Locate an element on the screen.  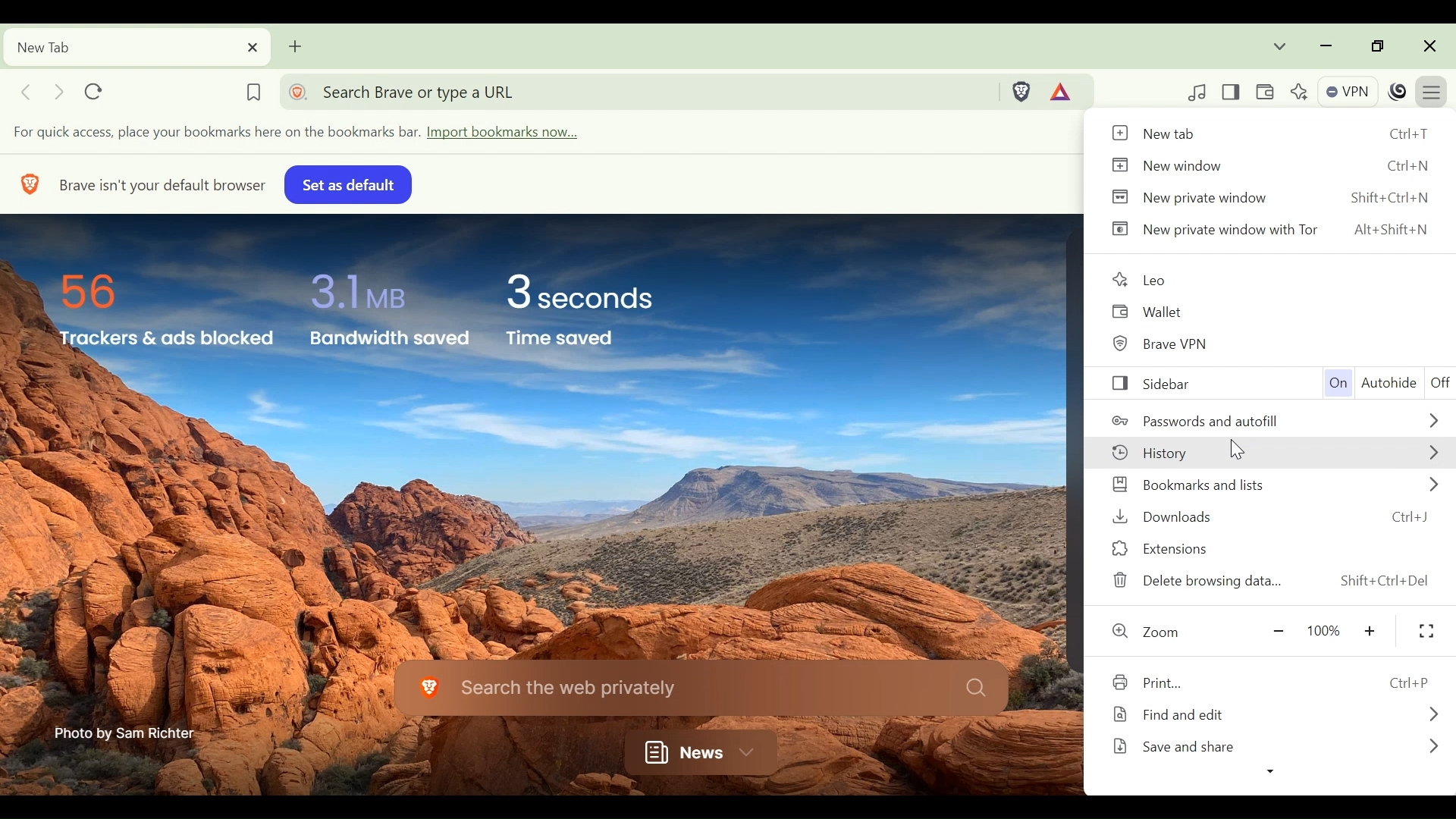
New private window Shift+Ctrl+N is located at coordinates (1272, 196).